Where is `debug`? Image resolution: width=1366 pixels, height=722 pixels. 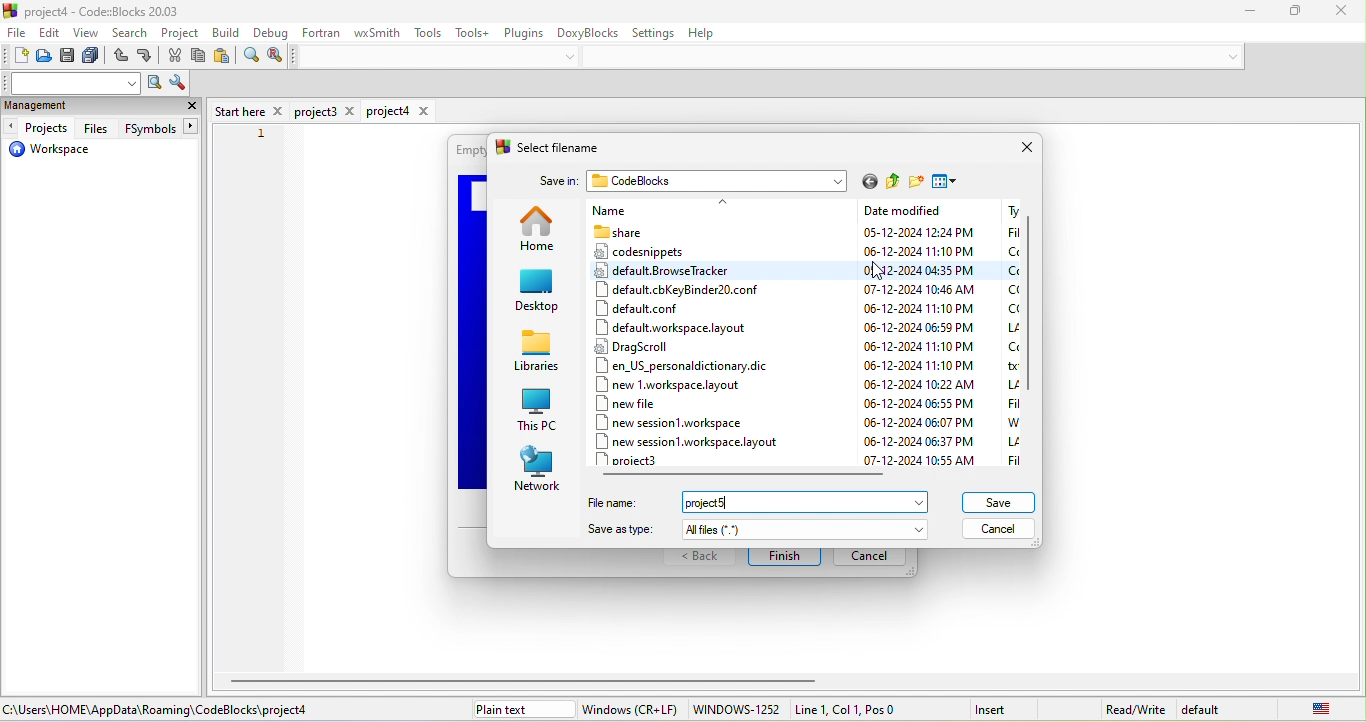 debug is located at coordinates (269, 34).